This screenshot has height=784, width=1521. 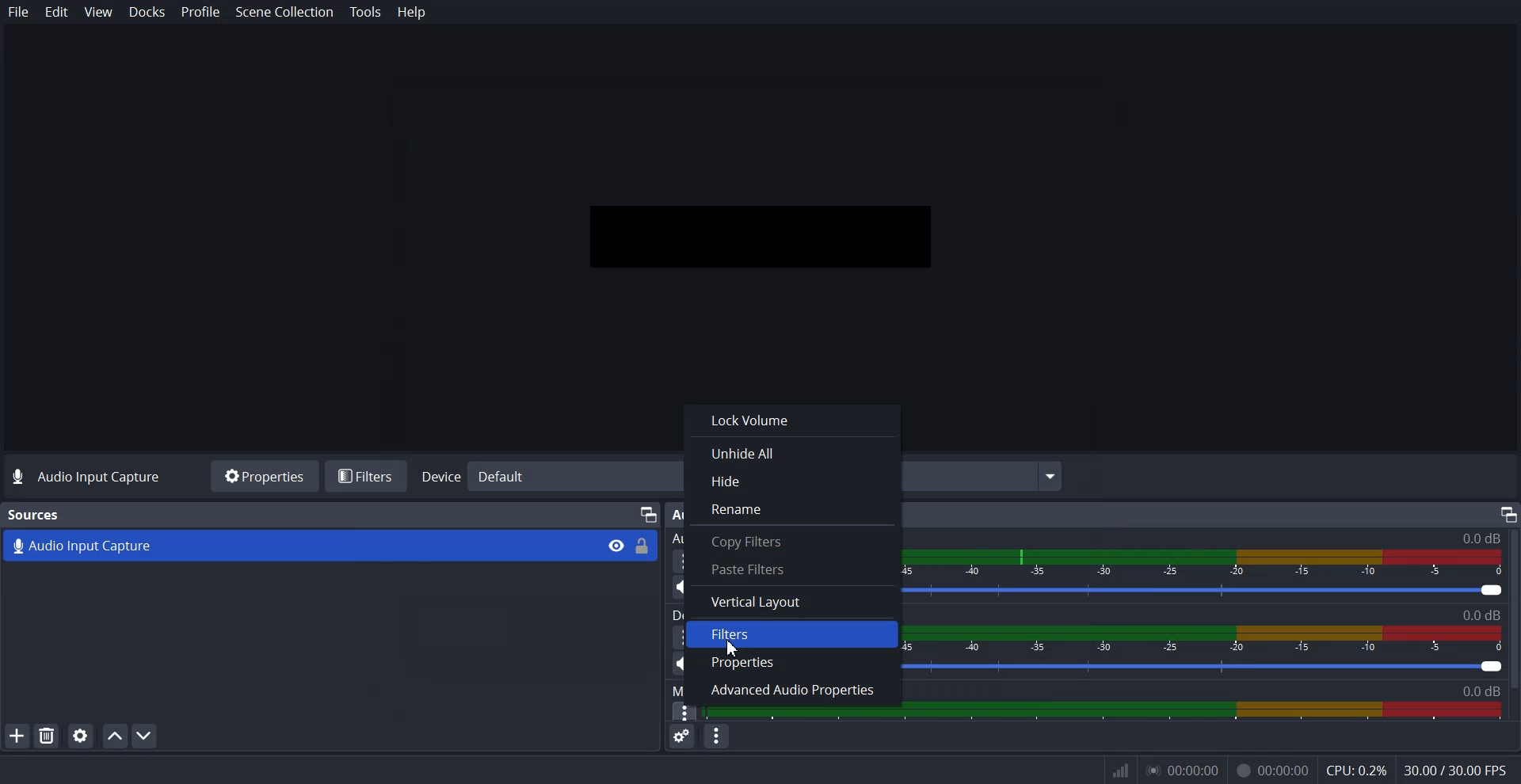 I want to click on Filters, so click(x=367, y=475).